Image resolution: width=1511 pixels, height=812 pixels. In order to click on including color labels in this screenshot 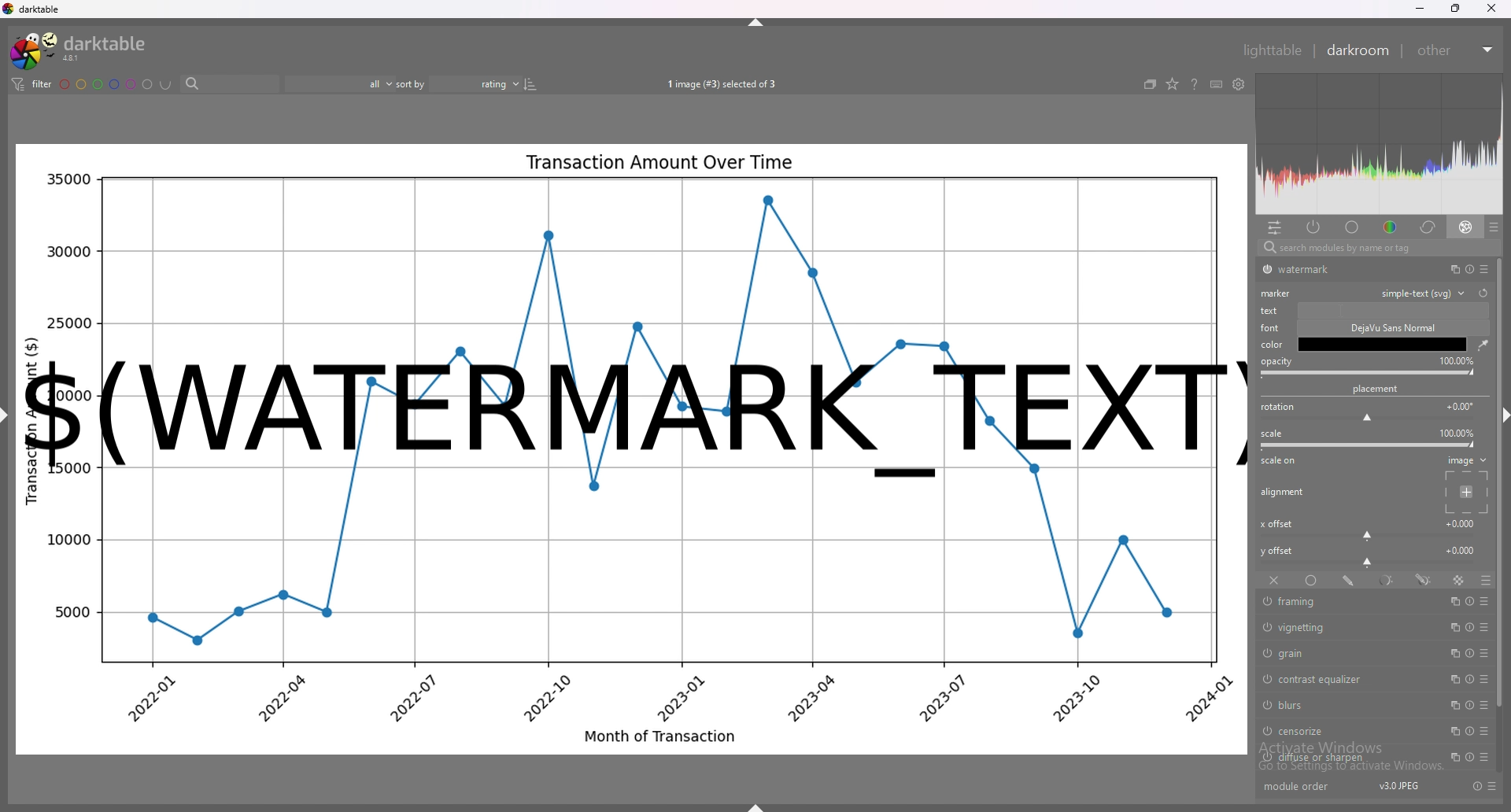, I will do `click(165, 85)`.